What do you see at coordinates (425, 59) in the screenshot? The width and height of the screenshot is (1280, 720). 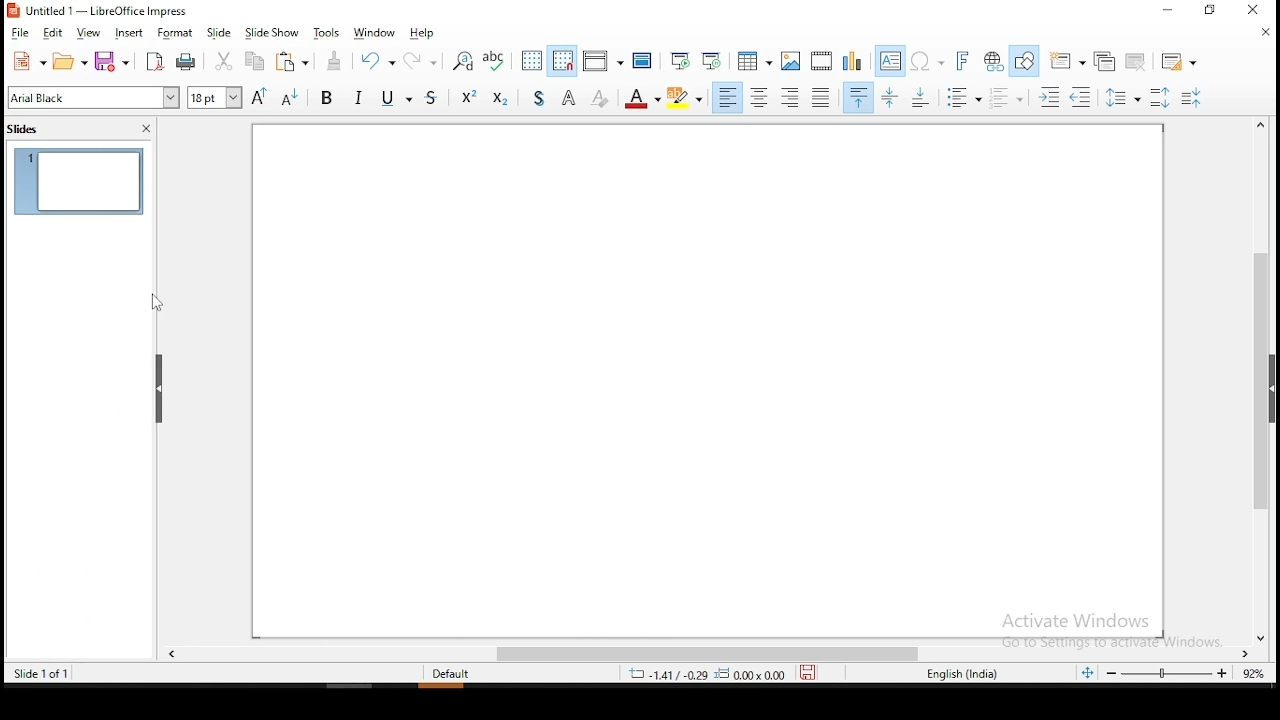 I see `redo` at bounding box center [425, 59].